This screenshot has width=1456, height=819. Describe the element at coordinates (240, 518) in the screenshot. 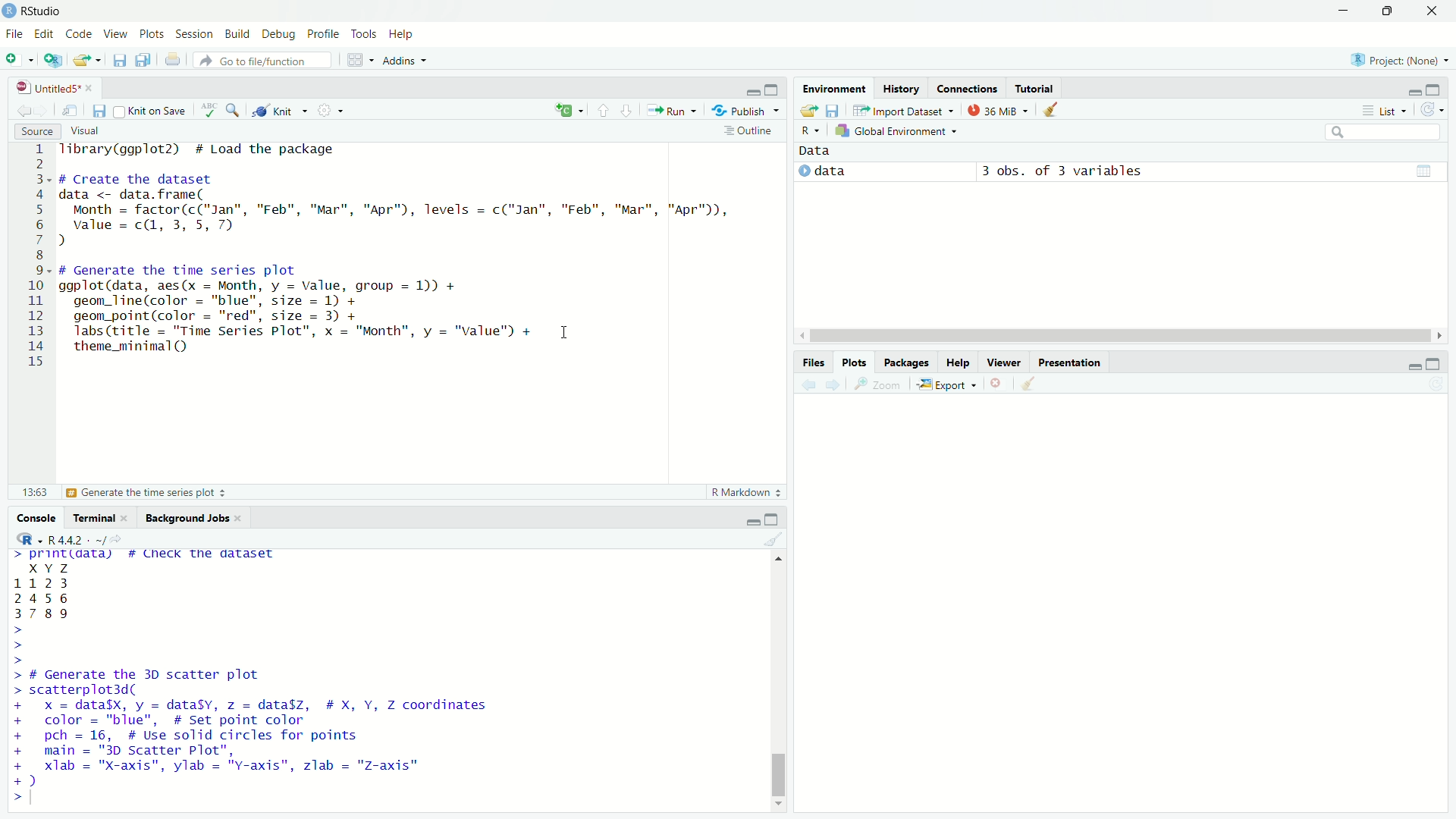

I see `close` at that location.